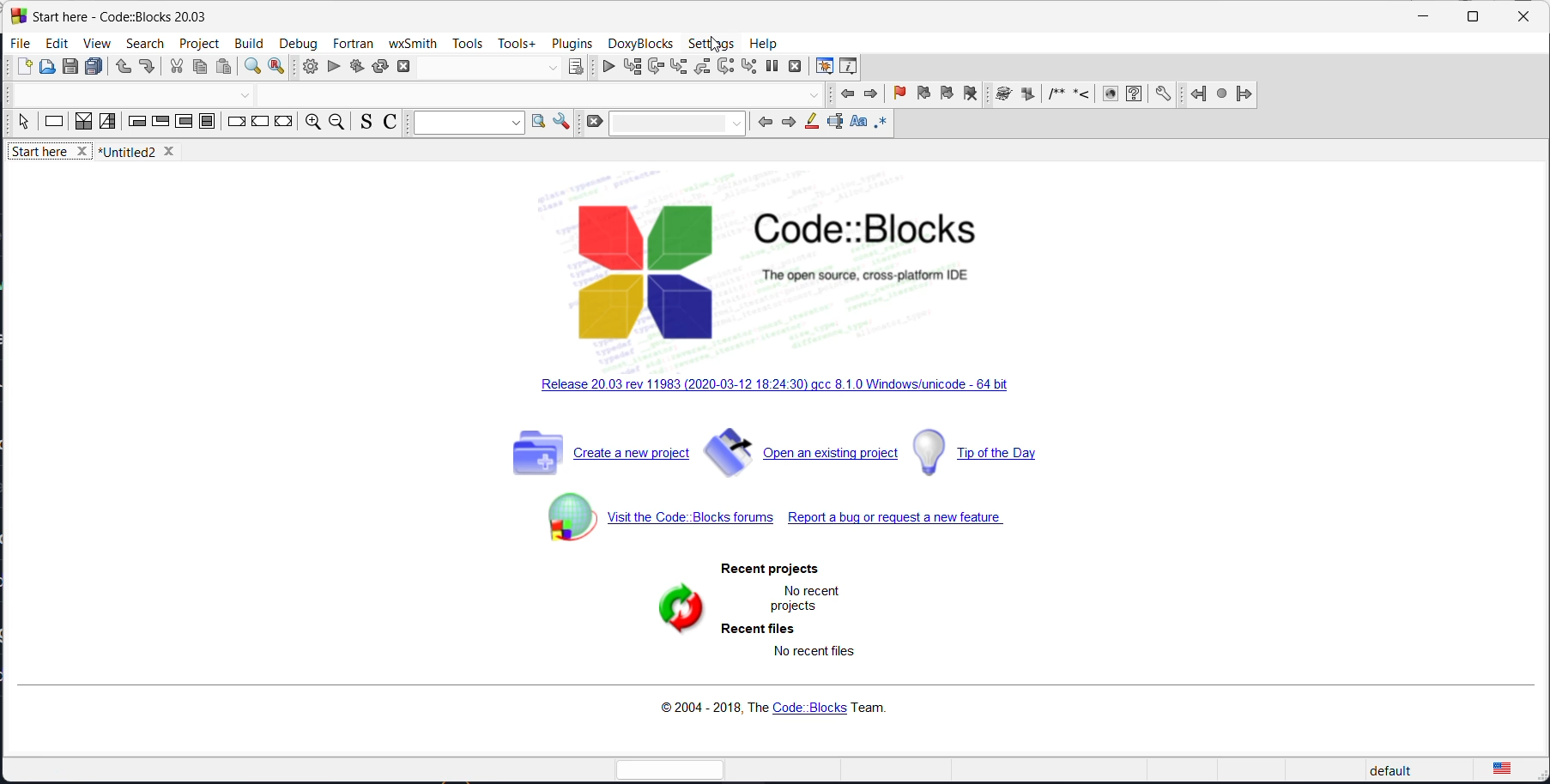 This screenshot has width=1550, height=784. What do you see at coordinates (1002, 95) in the screenshot?
I see `icon` at bounding box center [1002, 95].